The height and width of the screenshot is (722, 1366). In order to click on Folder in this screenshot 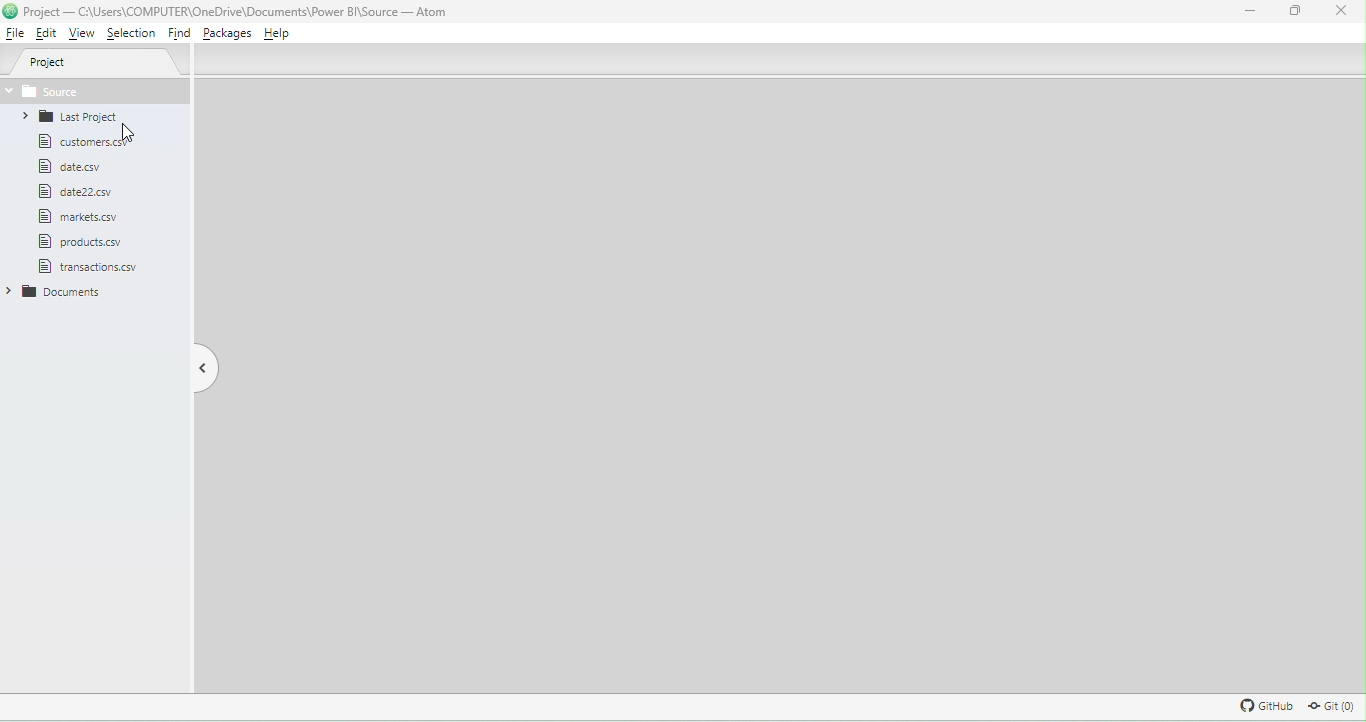, I will do `click(65, 118)`.